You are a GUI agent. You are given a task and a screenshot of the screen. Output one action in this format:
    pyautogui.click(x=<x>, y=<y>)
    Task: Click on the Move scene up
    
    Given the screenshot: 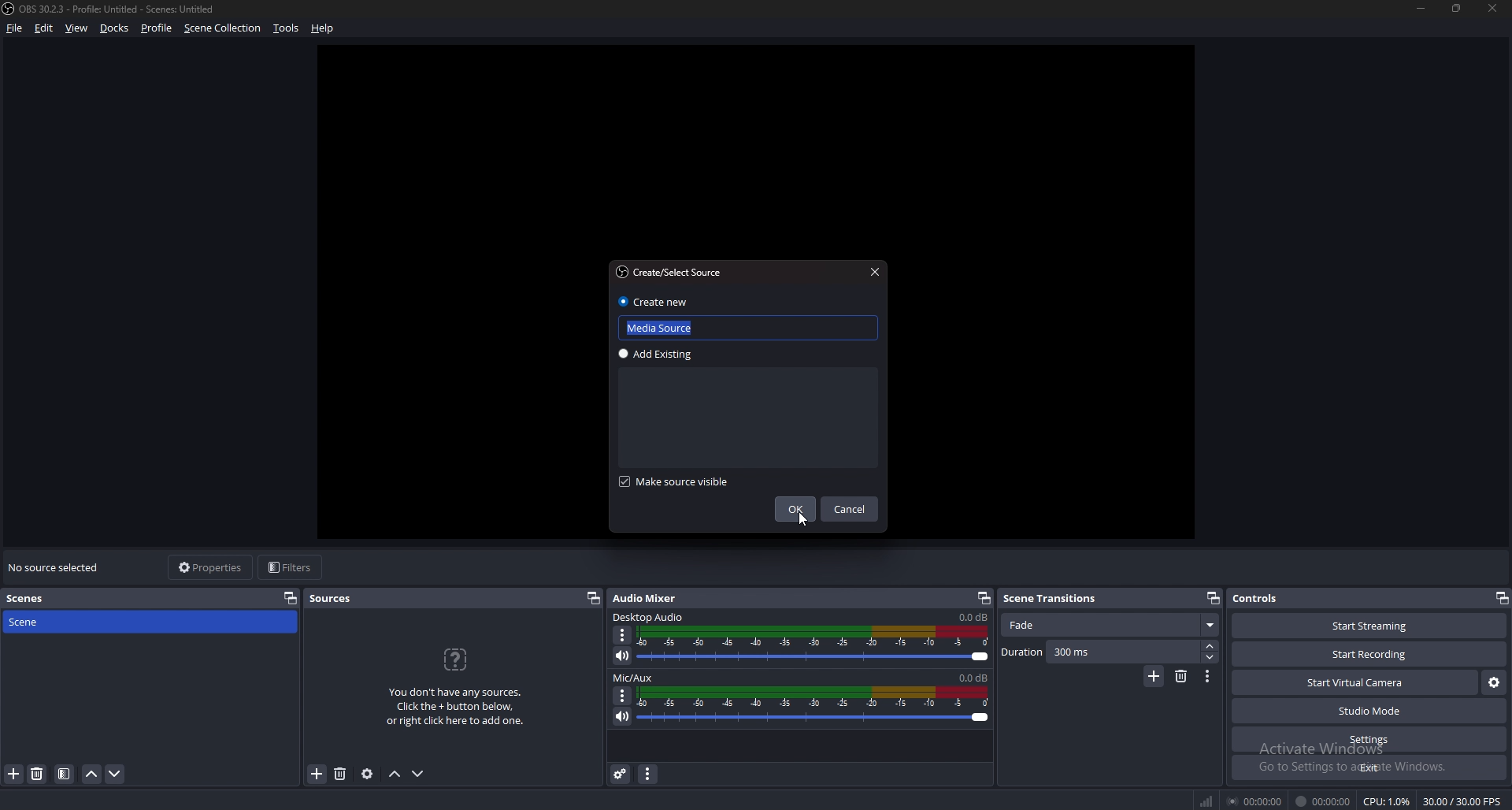 What is the action you would take?
    pyautogui.click(x=91, y=776)
    